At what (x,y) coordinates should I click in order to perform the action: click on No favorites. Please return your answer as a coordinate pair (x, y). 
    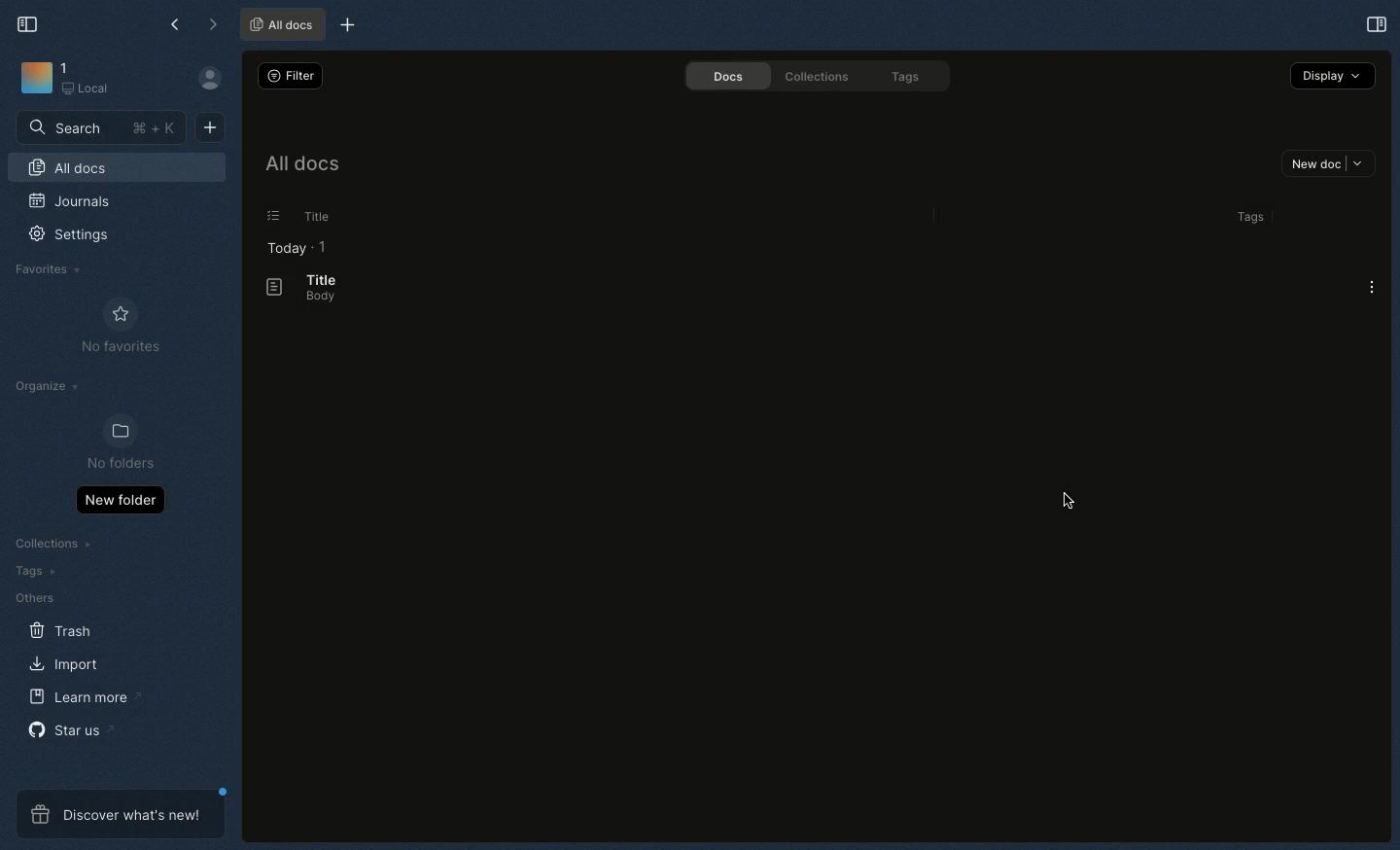
    Looking at the image, I should click on (121, 326).